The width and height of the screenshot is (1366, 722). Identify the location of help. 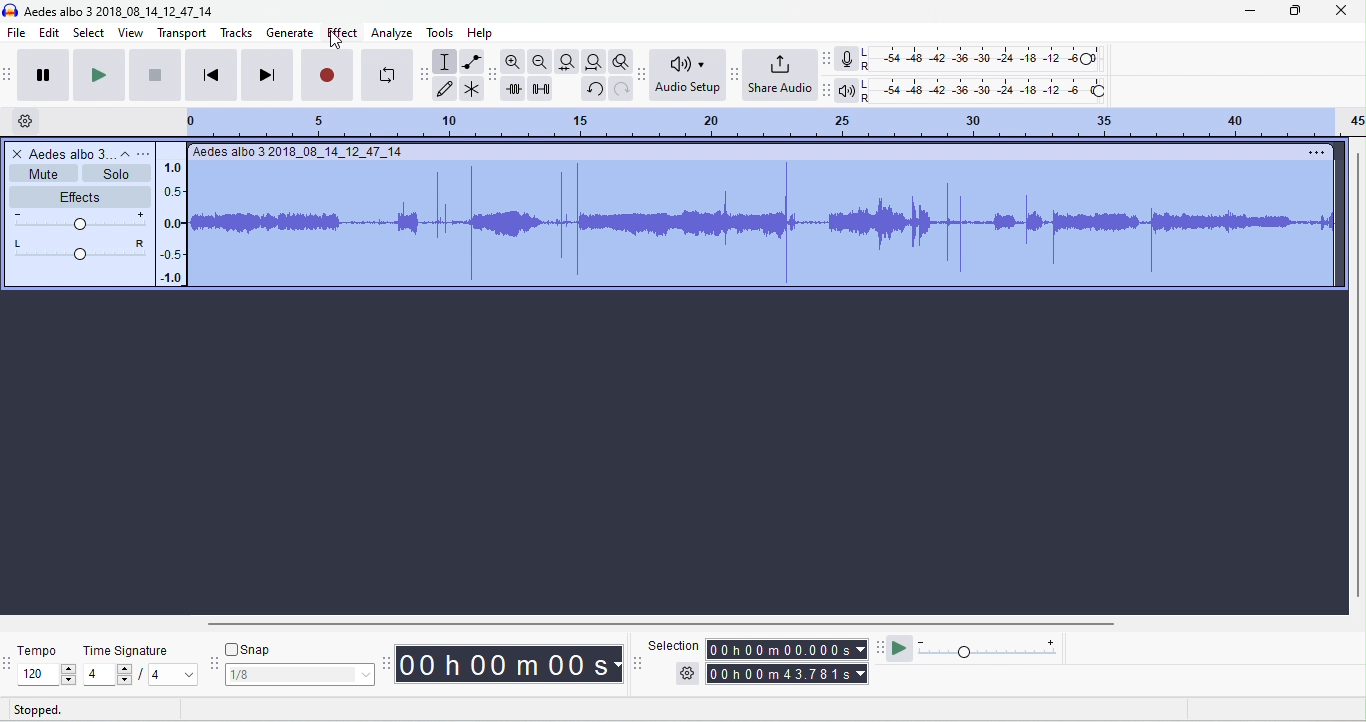
(482, 34).